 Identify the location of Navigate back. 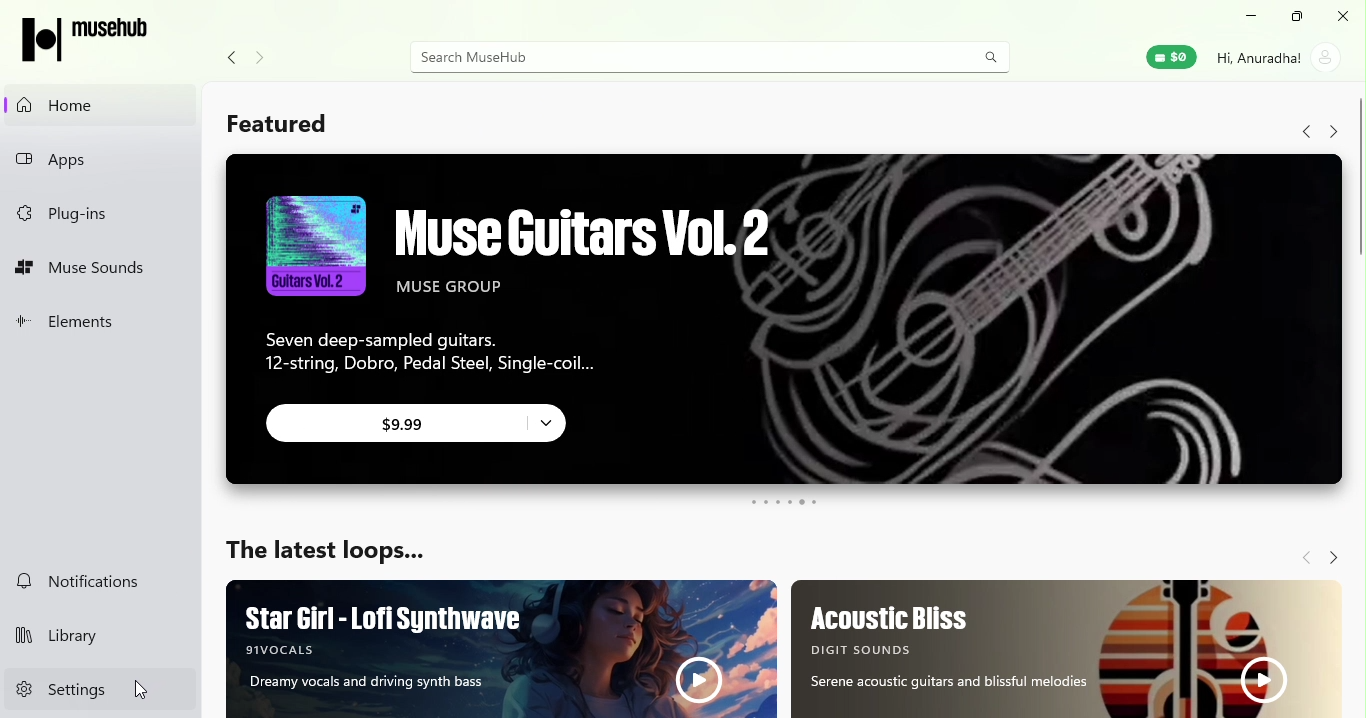
(1307, 559).